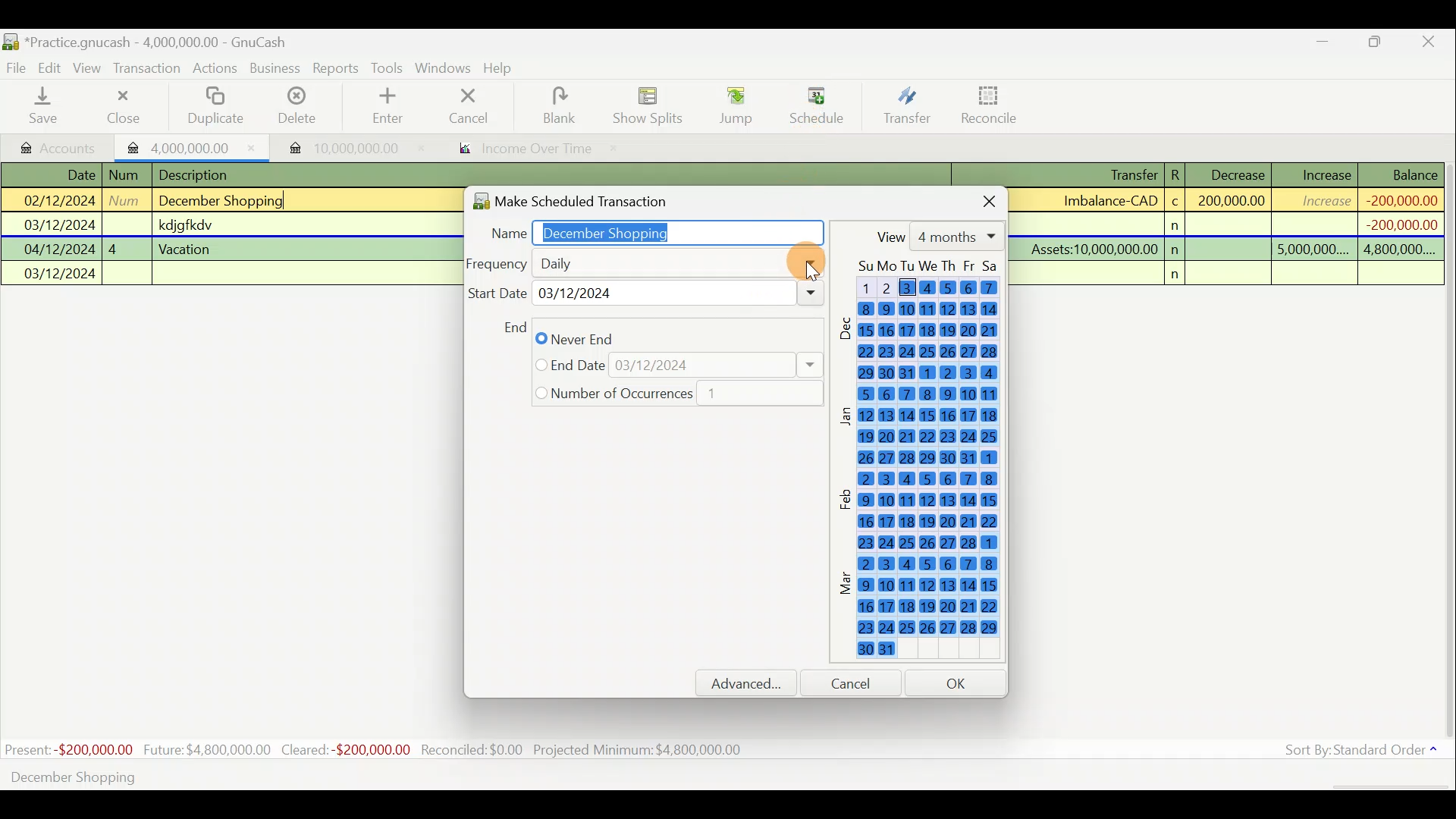 The height and width of the screenshot is (819, 1456). What do you see at coordinates (504, 68) in the screenshot?
I see `Help` at bounding box center [504, 68].